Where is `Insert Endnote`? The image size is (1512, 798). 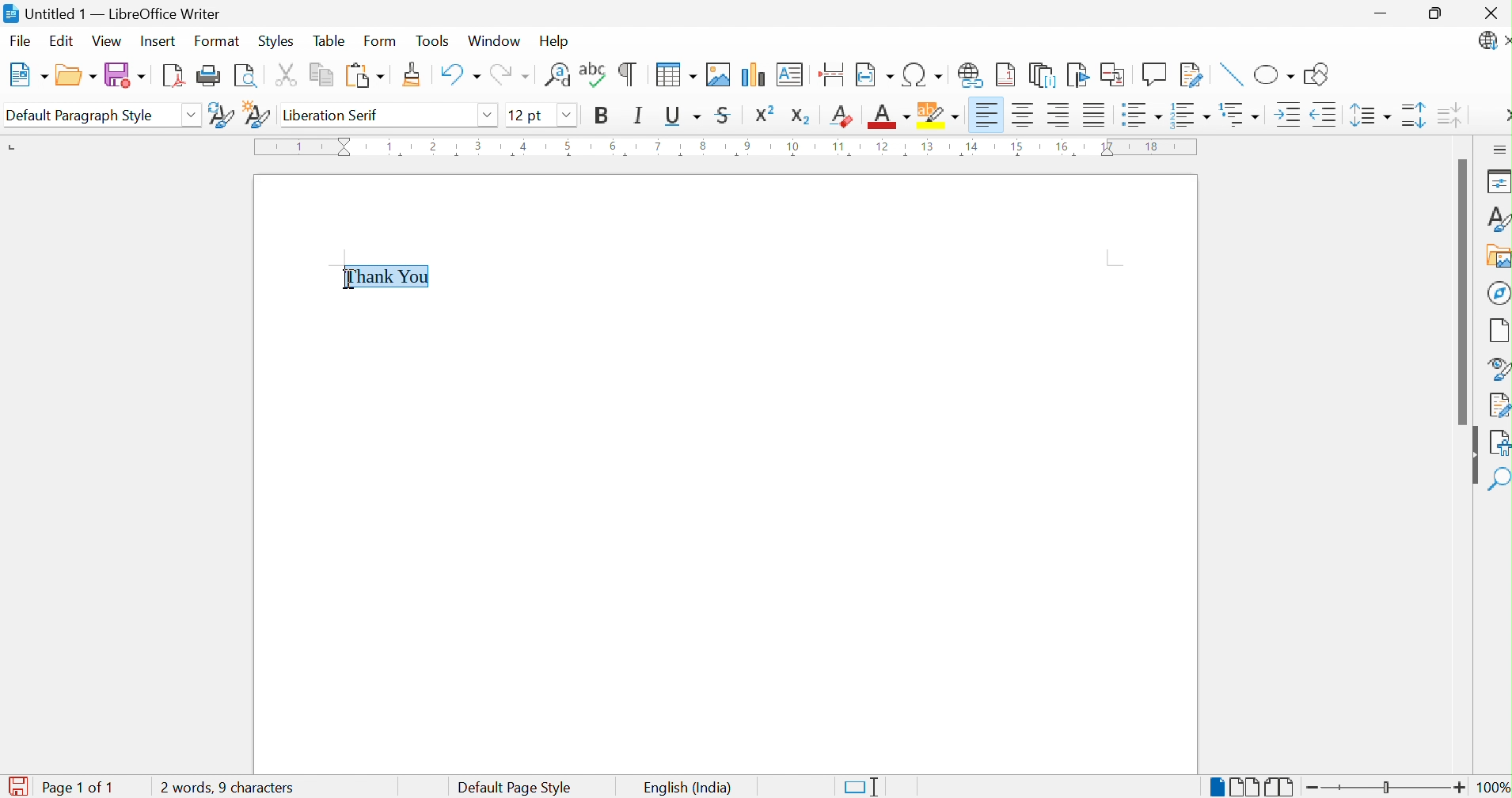 Insert Endnote is located at coordinates (1042, 77).